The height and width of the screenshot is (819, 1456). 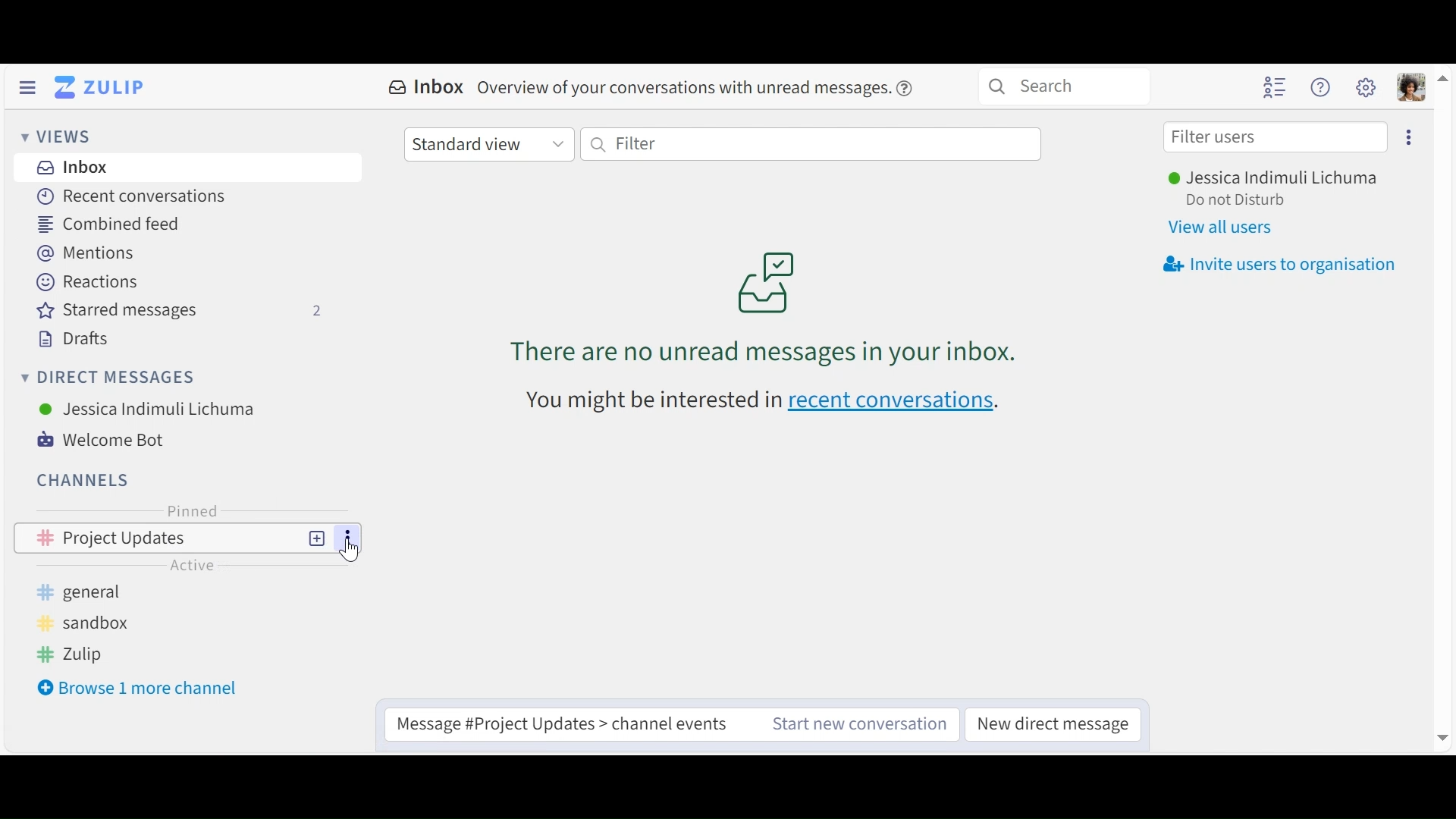 What do you see at coordinates (103, 86) in the screenshot?
I see `Go to Home View (Inbox)` at bounding box center [103, 86].